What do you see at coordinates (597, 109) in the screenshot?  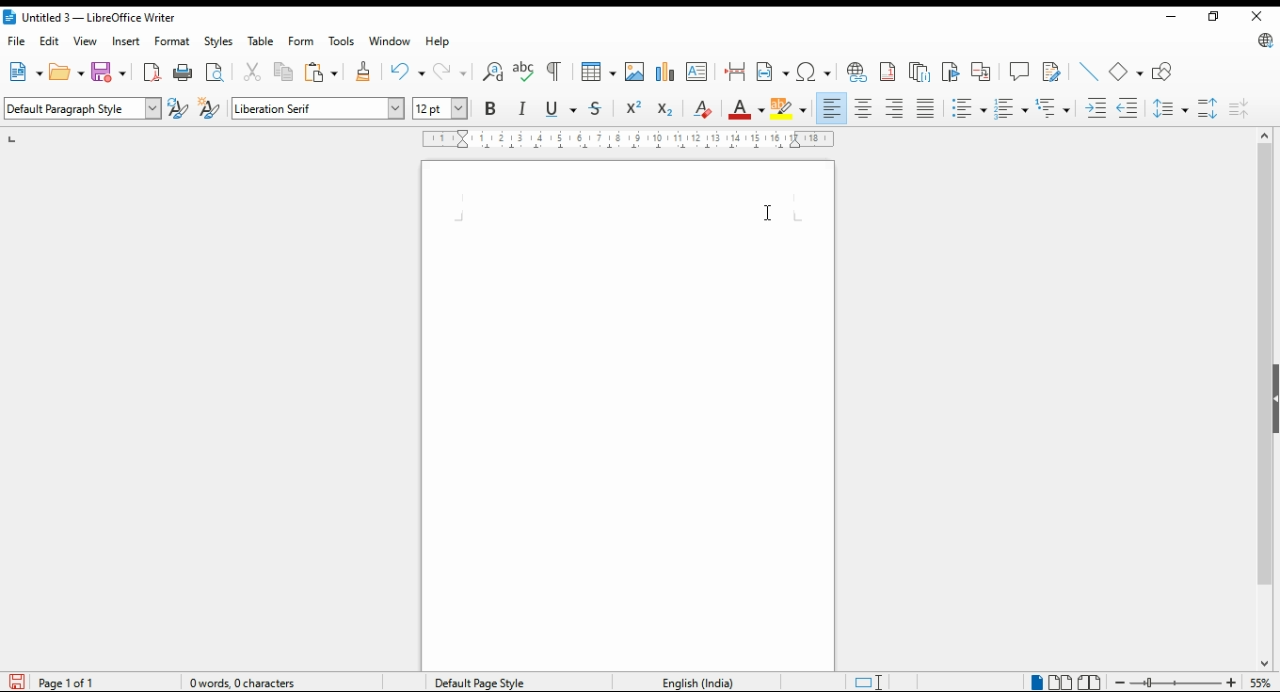 I see `strike thorough` at bounding box center [597, 109].